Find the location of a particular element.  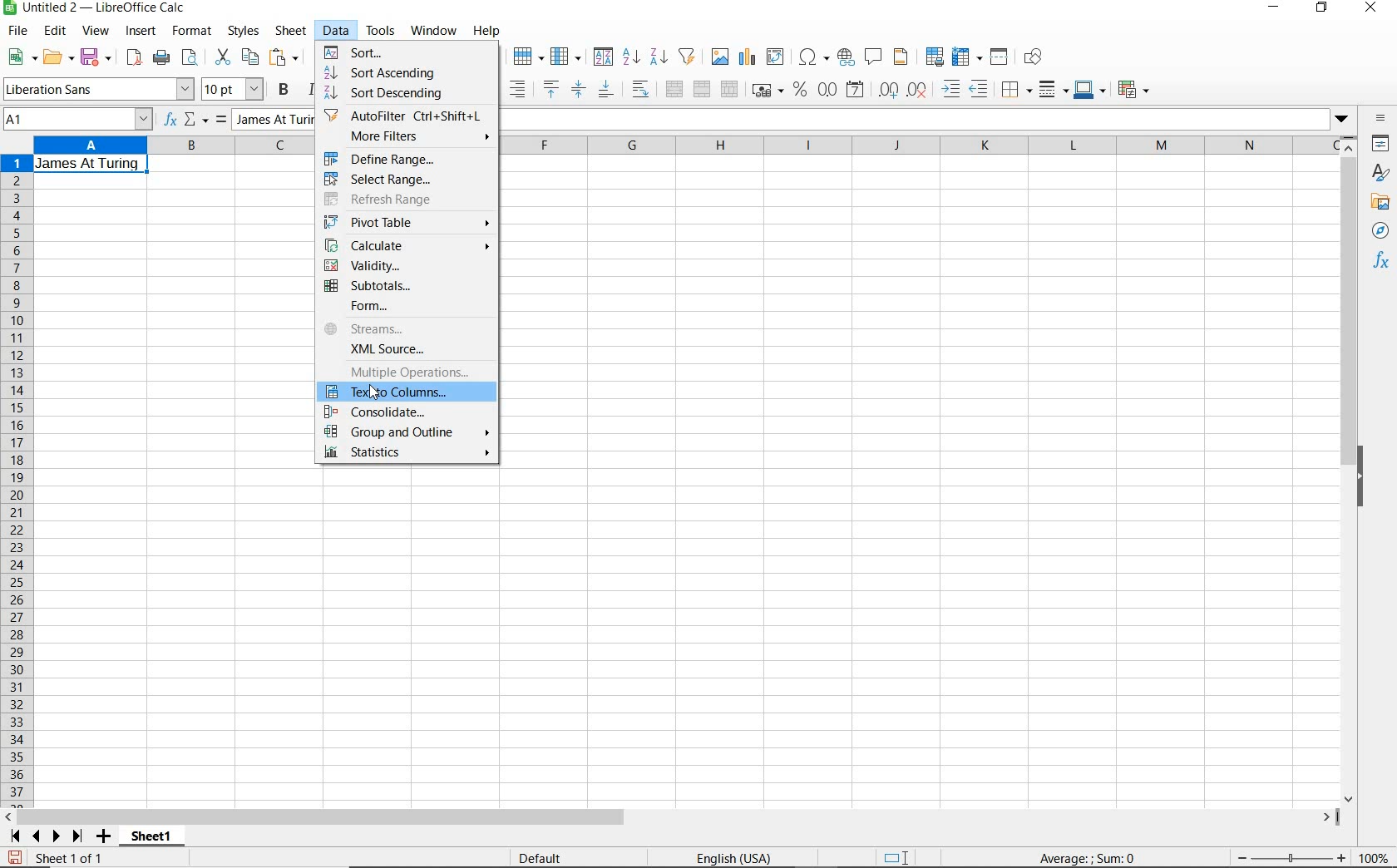

sort is located at coordinates (365, 52).